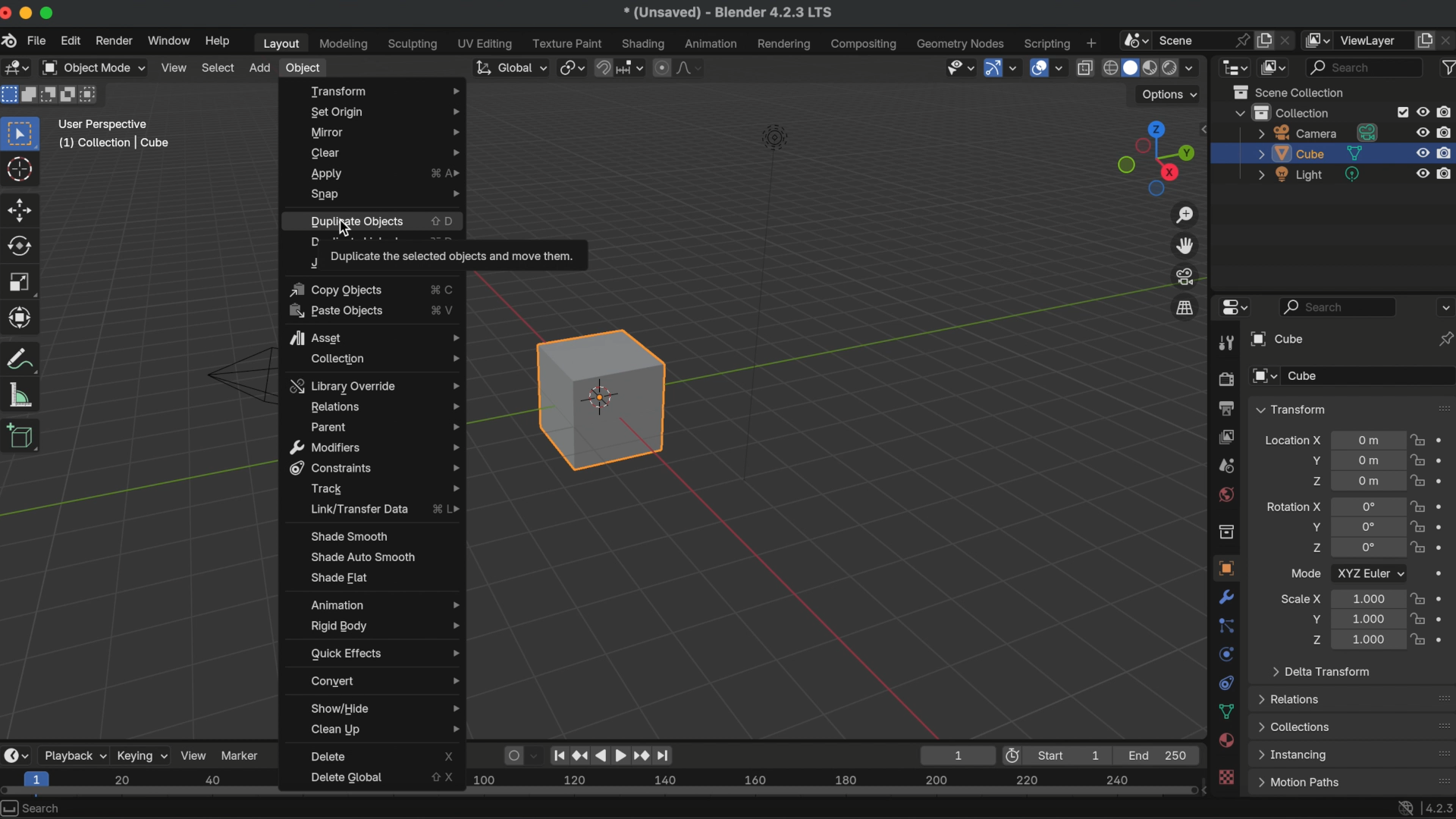 Image resolution: width=1456 pixels, height=819 pixels. Describe the element at coordinates (384, 221) in the screenshot. I see `duplicate objects` at that location.